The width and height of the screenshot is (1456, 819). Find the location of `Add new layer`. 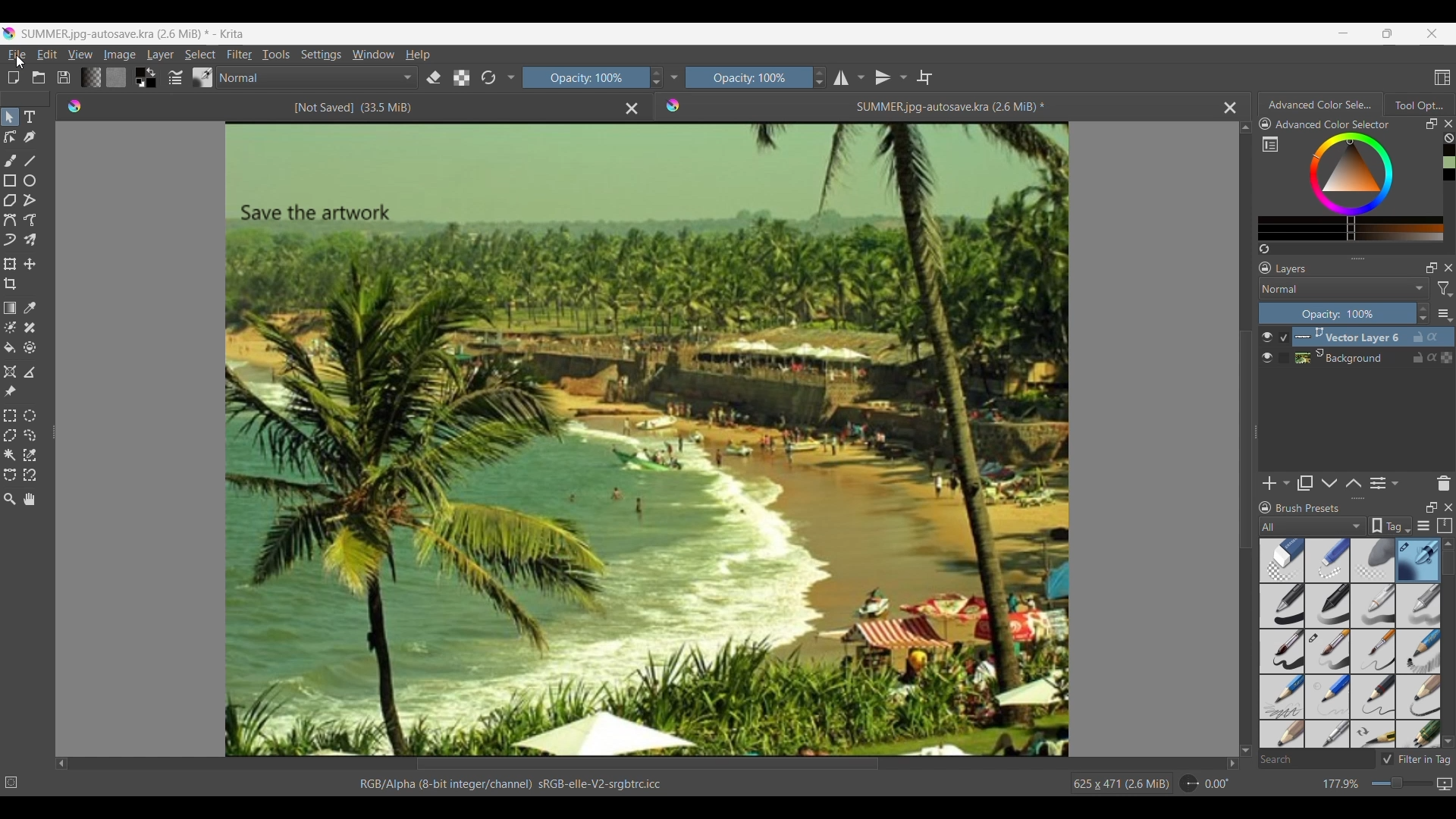

Add new layer is located at coordinates (1276, 483).